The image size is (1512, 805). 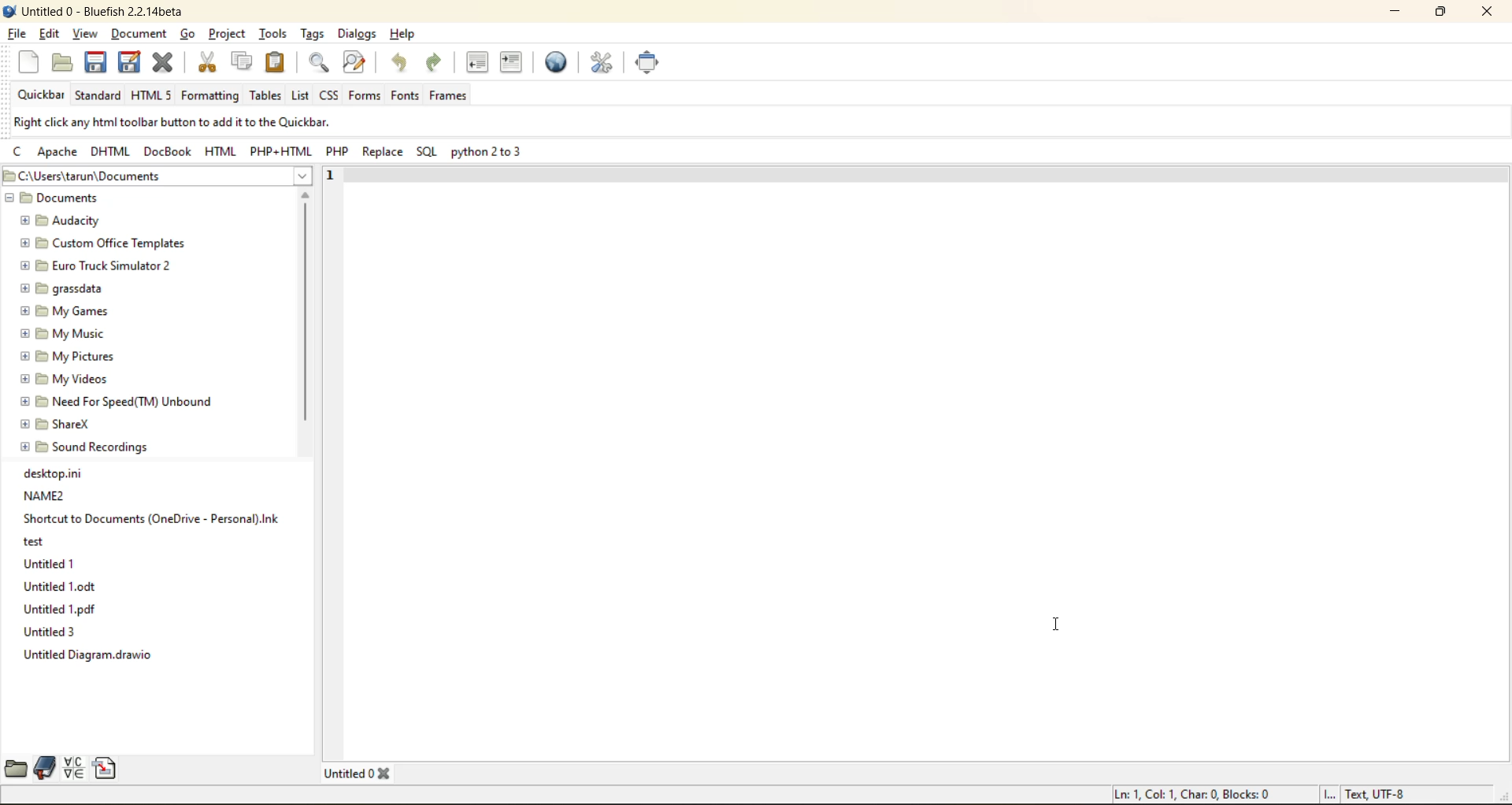 I want to click on Untitled 1.pdf, so click(x=62, y=610).